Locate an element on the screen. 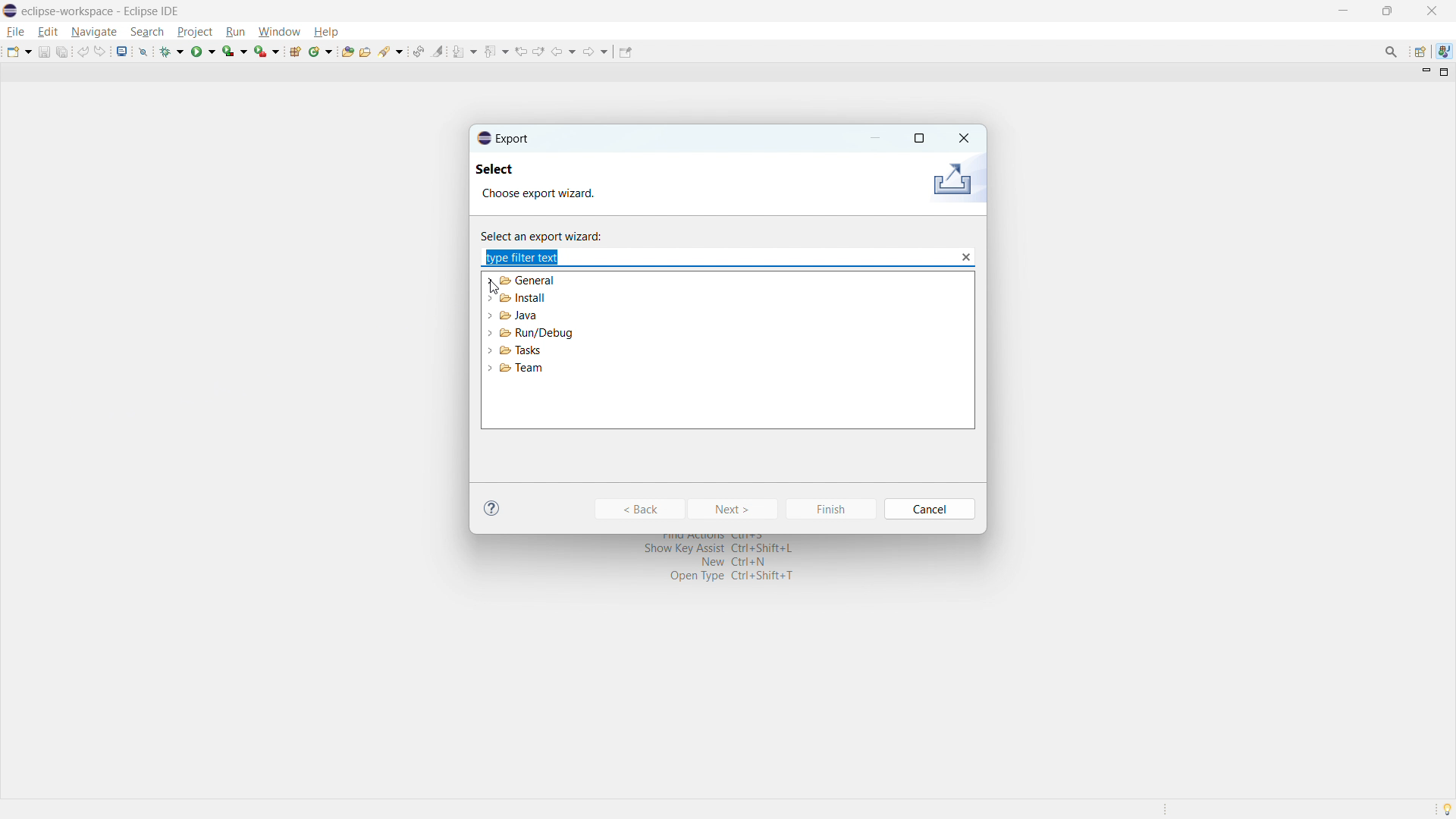 Image resolution: width=1456 pixels, height=819 pixels. new java package is located at coordinates (295, 51).